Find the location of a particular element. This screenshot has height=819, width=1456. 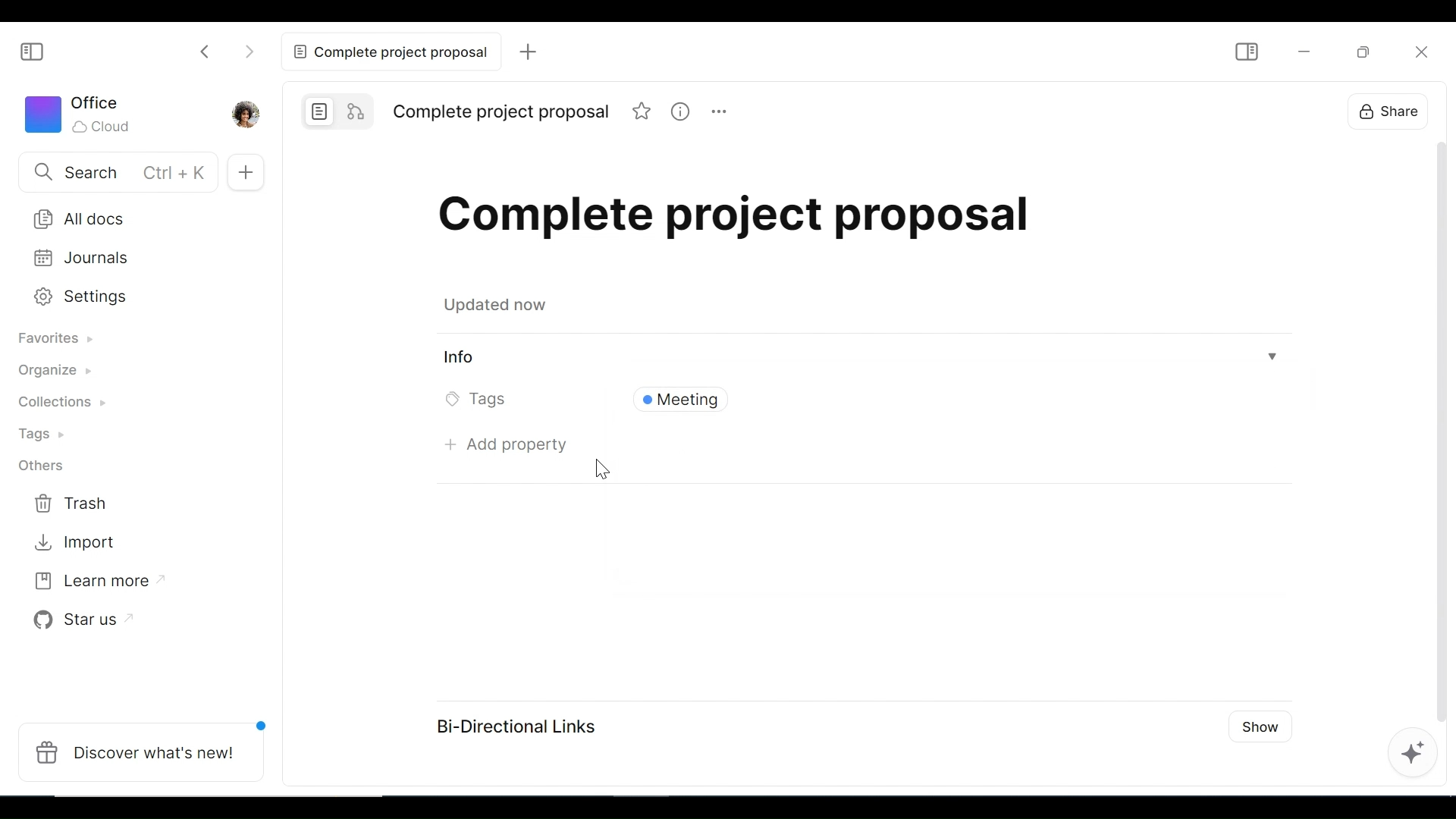

Learn more is located at coordinates (99, 579).